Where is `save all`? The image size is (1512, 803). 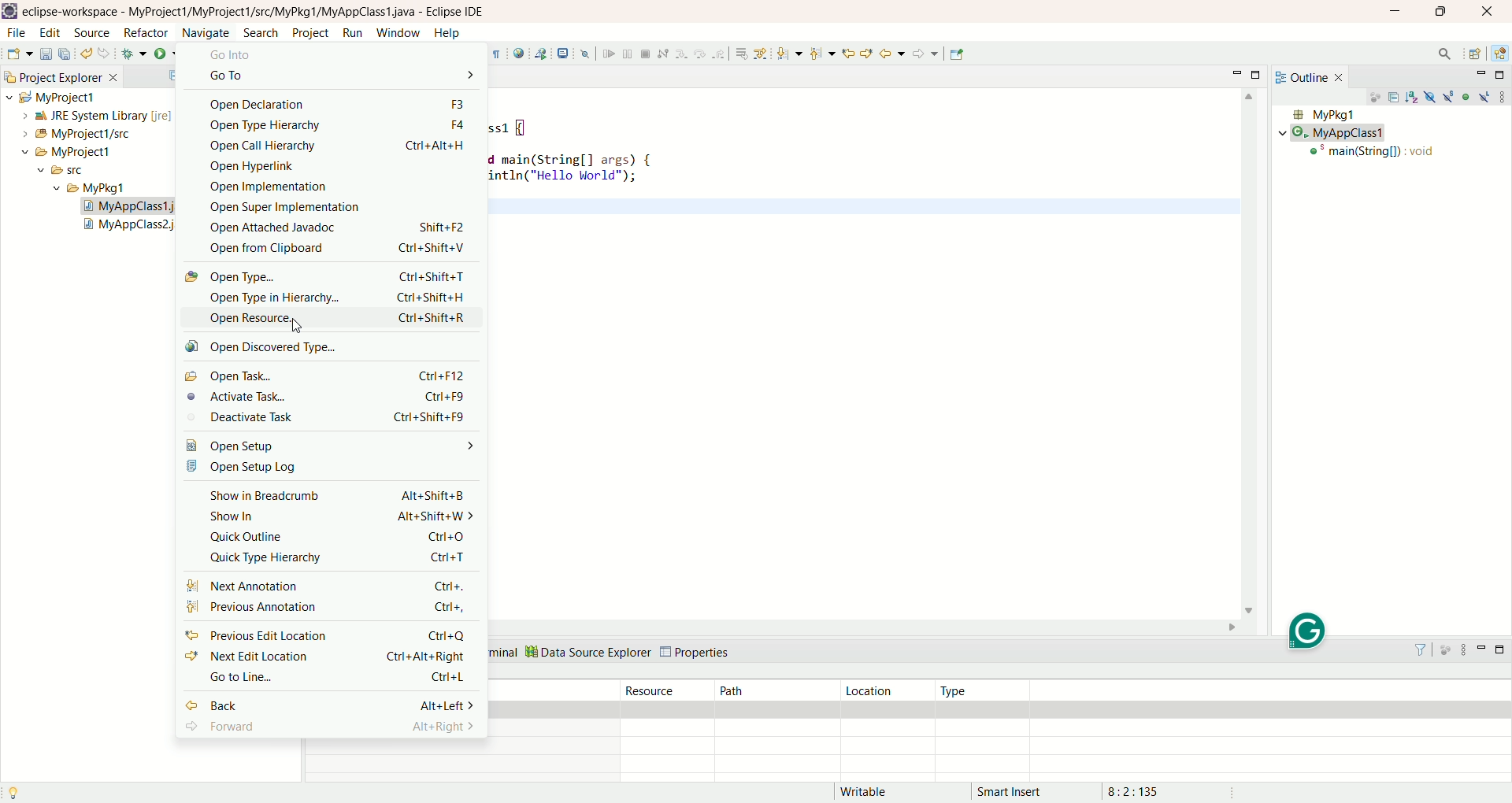
save all is located at coordinates (67, 54).